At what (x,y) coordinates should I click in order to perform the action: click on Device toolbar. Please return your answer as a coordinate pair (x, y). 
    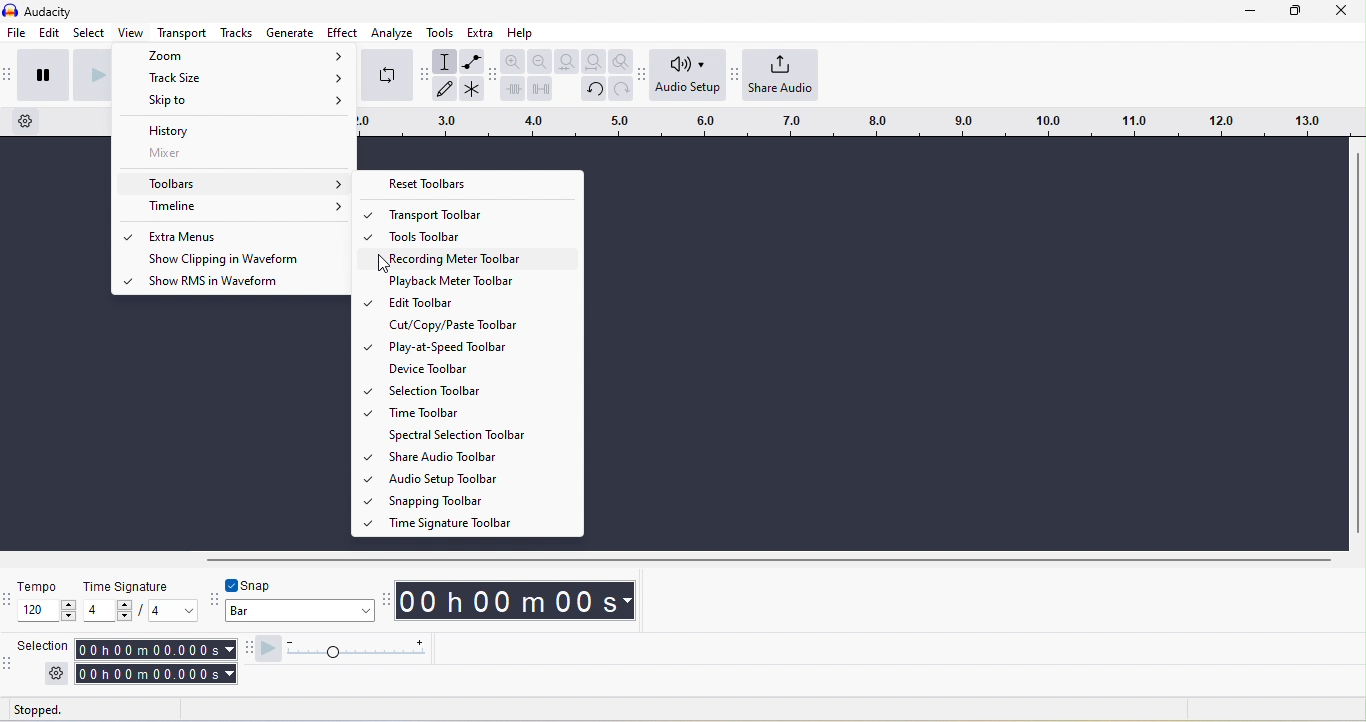
    Looking at the image, I should click on (480, 369).